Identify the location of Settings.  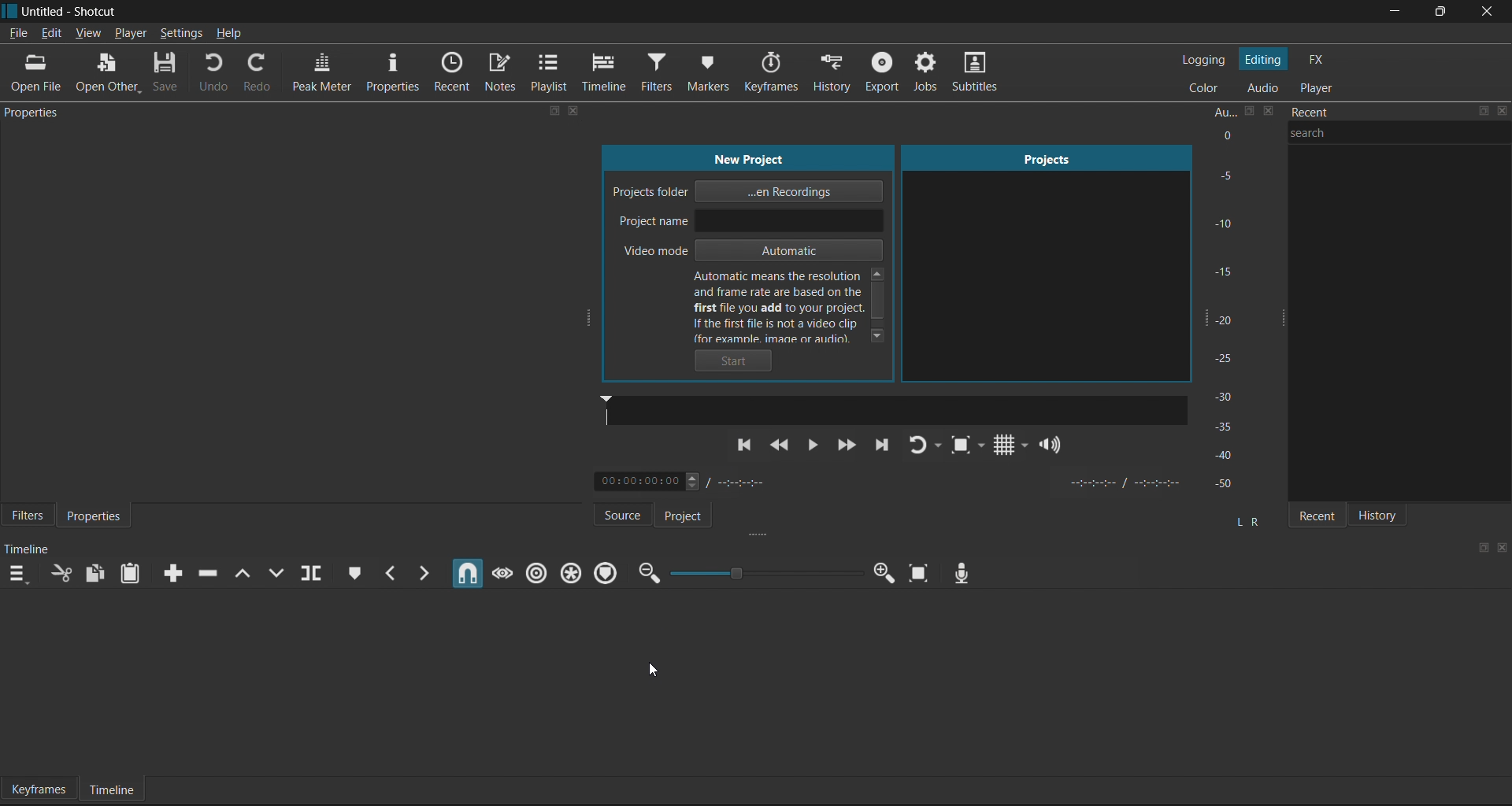
(183, 33).